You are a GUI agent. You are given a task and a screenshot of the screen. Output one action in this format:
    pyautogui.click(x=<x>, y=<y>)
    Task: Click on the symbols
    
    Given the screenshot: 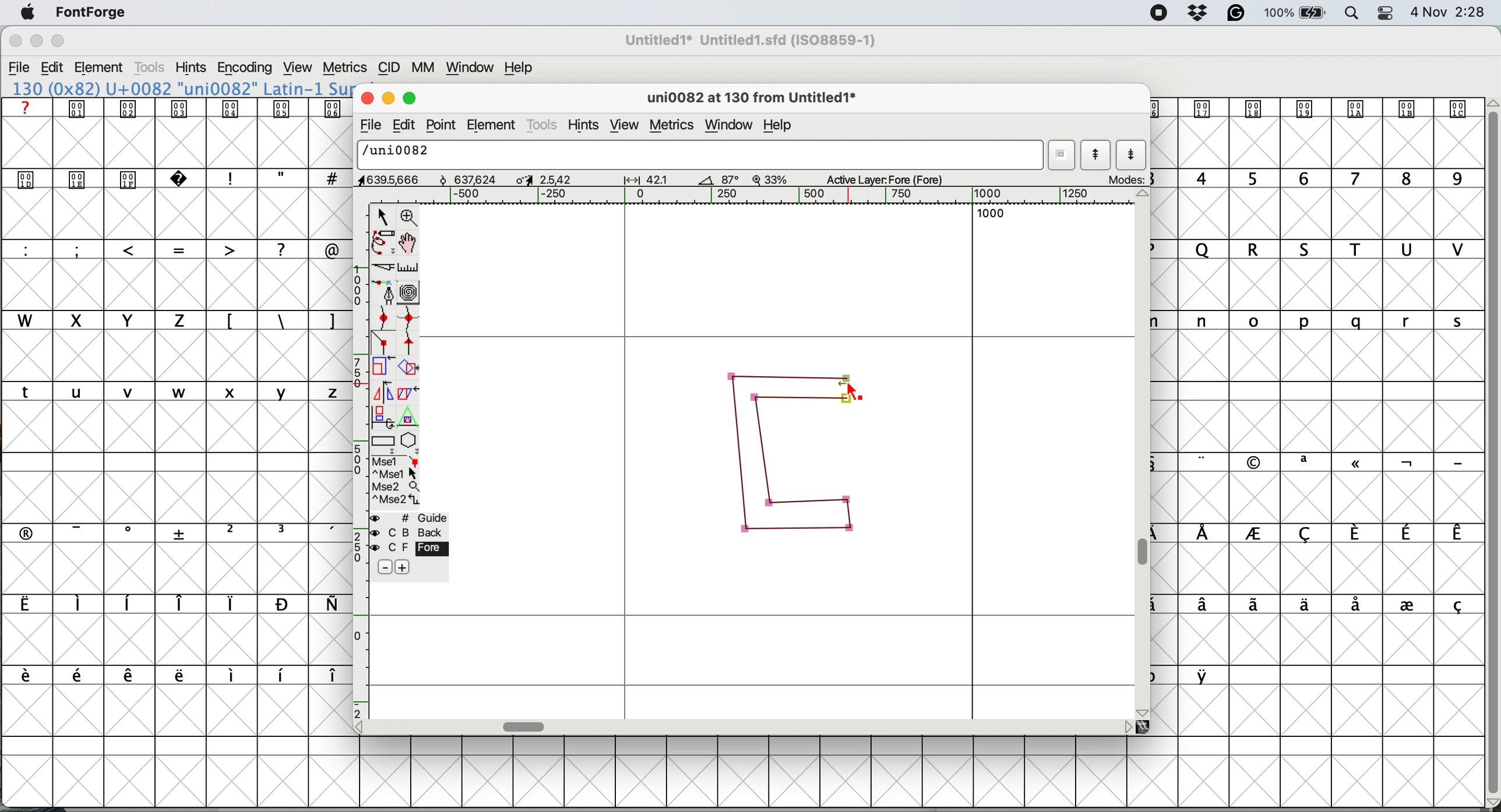 What is the action you would take?
    pyautogui.click(x=1331, y=463)
    